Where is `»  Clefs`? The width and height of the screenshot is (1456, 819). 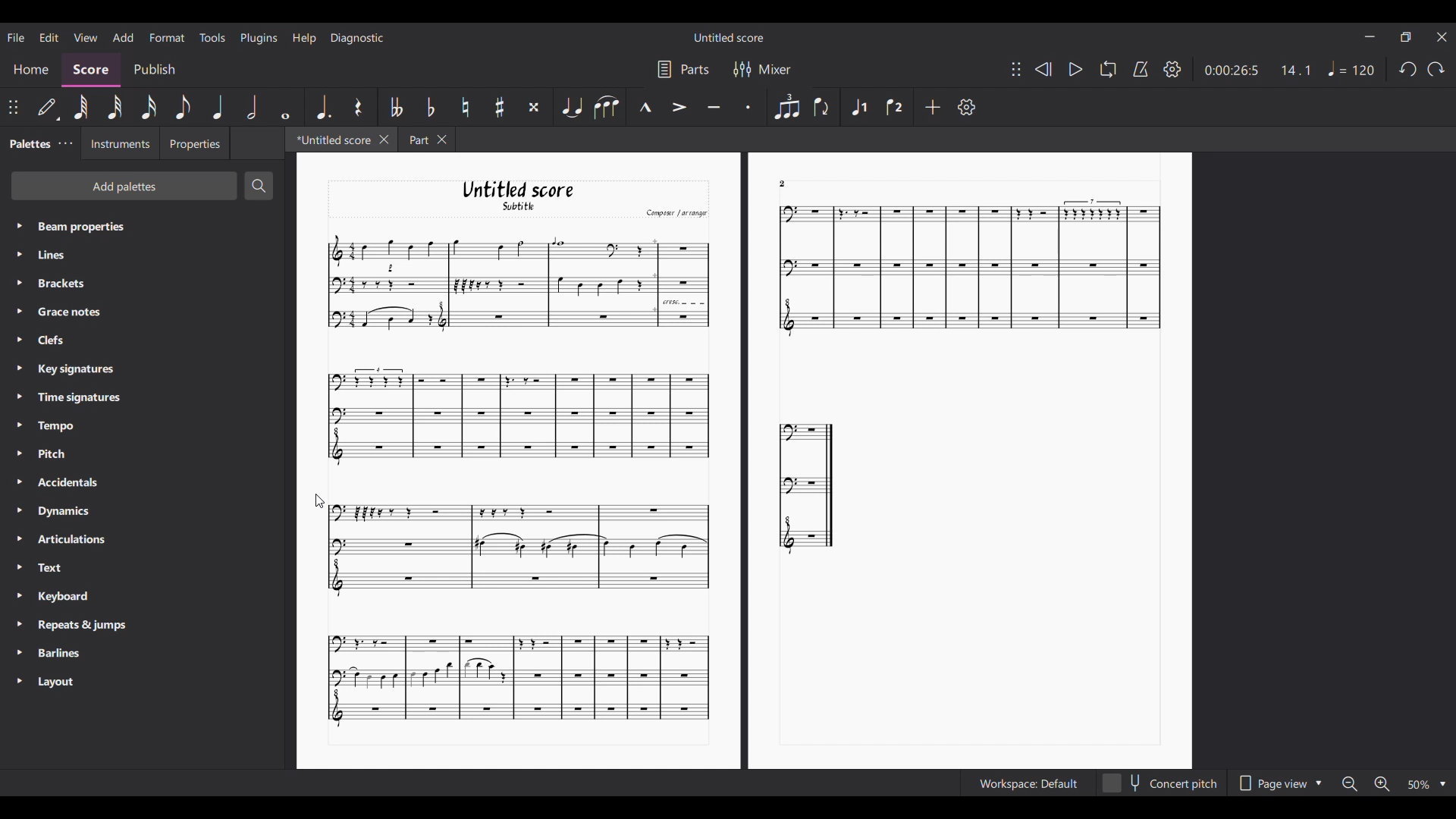 »  Clefs is located at coordinates (55, 340).